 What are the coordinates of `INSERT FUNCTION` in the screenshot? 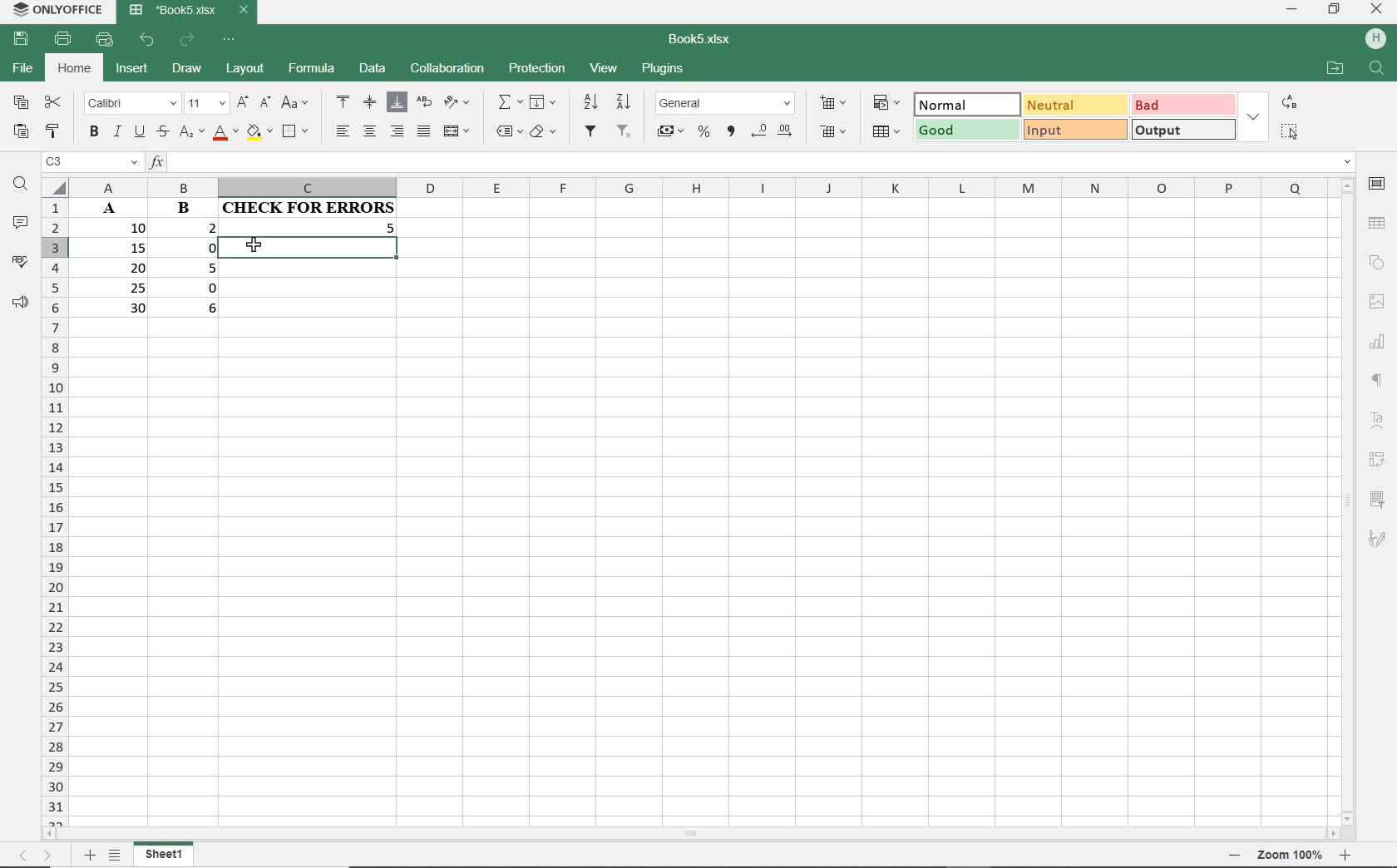 It's located at (509, 104).